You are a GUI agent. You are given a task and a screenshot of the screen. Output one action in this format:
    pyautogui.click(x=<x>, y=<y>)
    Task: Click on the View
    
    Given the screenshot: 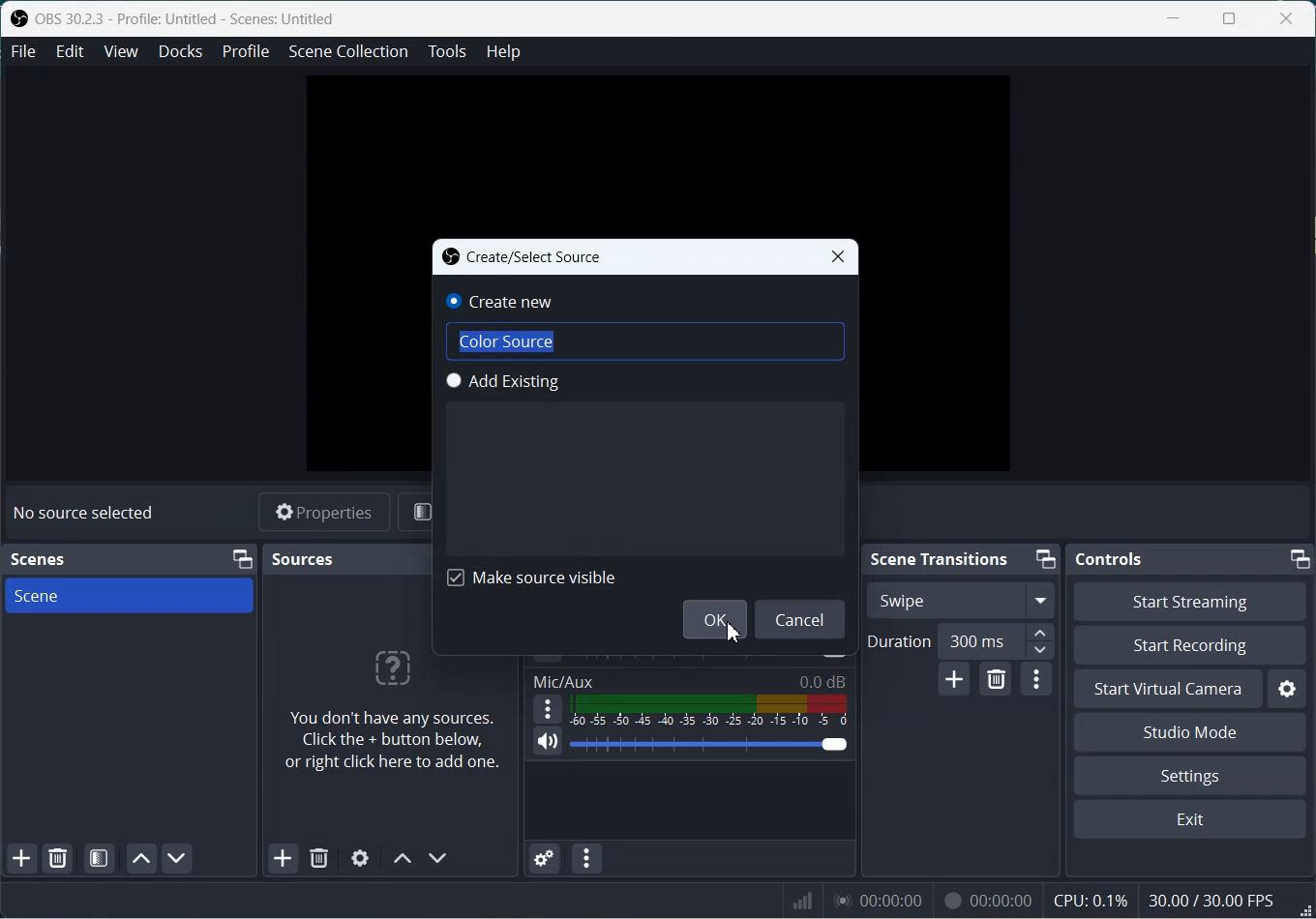 What is the action you would take?
    pyautogui.click(x=121, y=50)
    